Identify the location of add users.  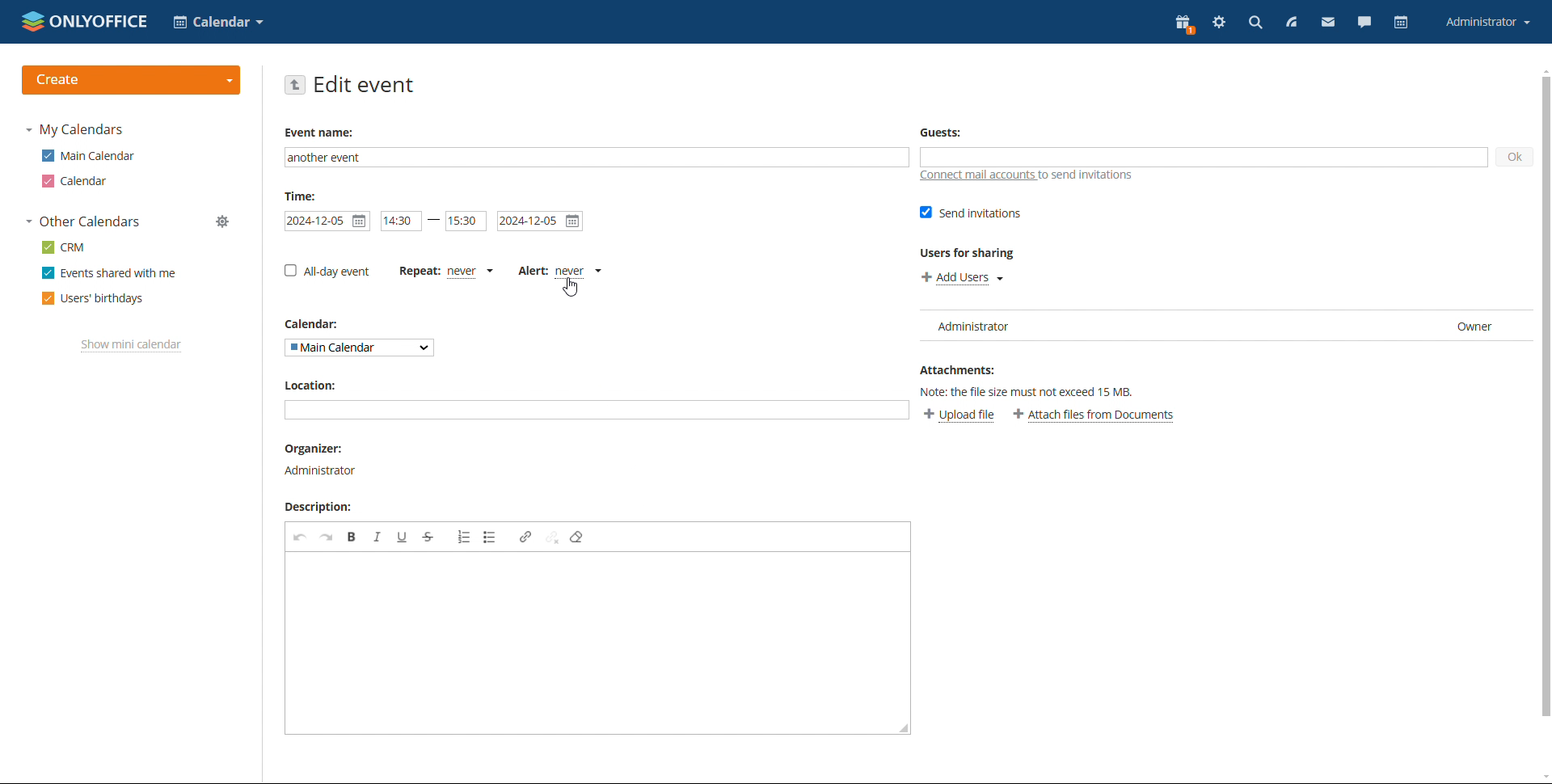
(962, 277).